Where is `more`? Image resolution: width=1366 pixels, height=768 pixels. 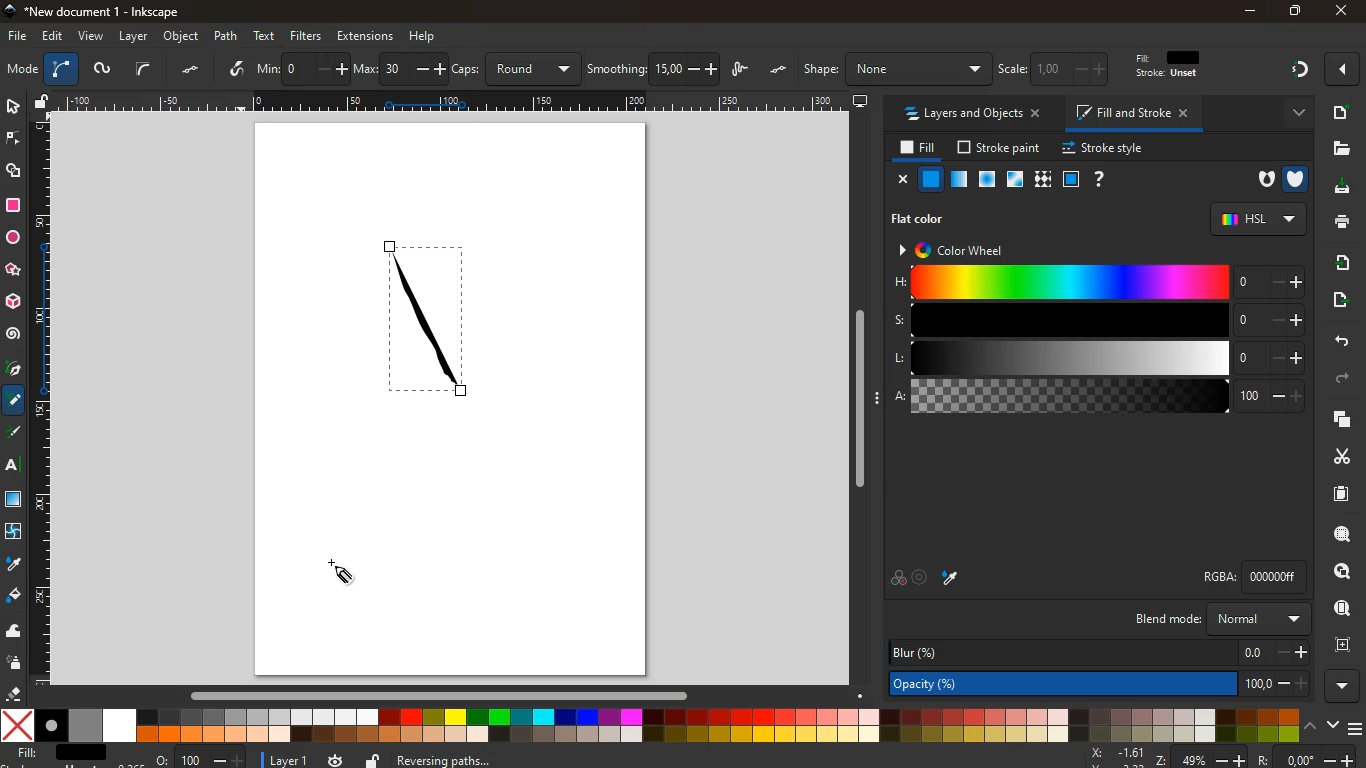 more is located at coordinates (1345, 69).